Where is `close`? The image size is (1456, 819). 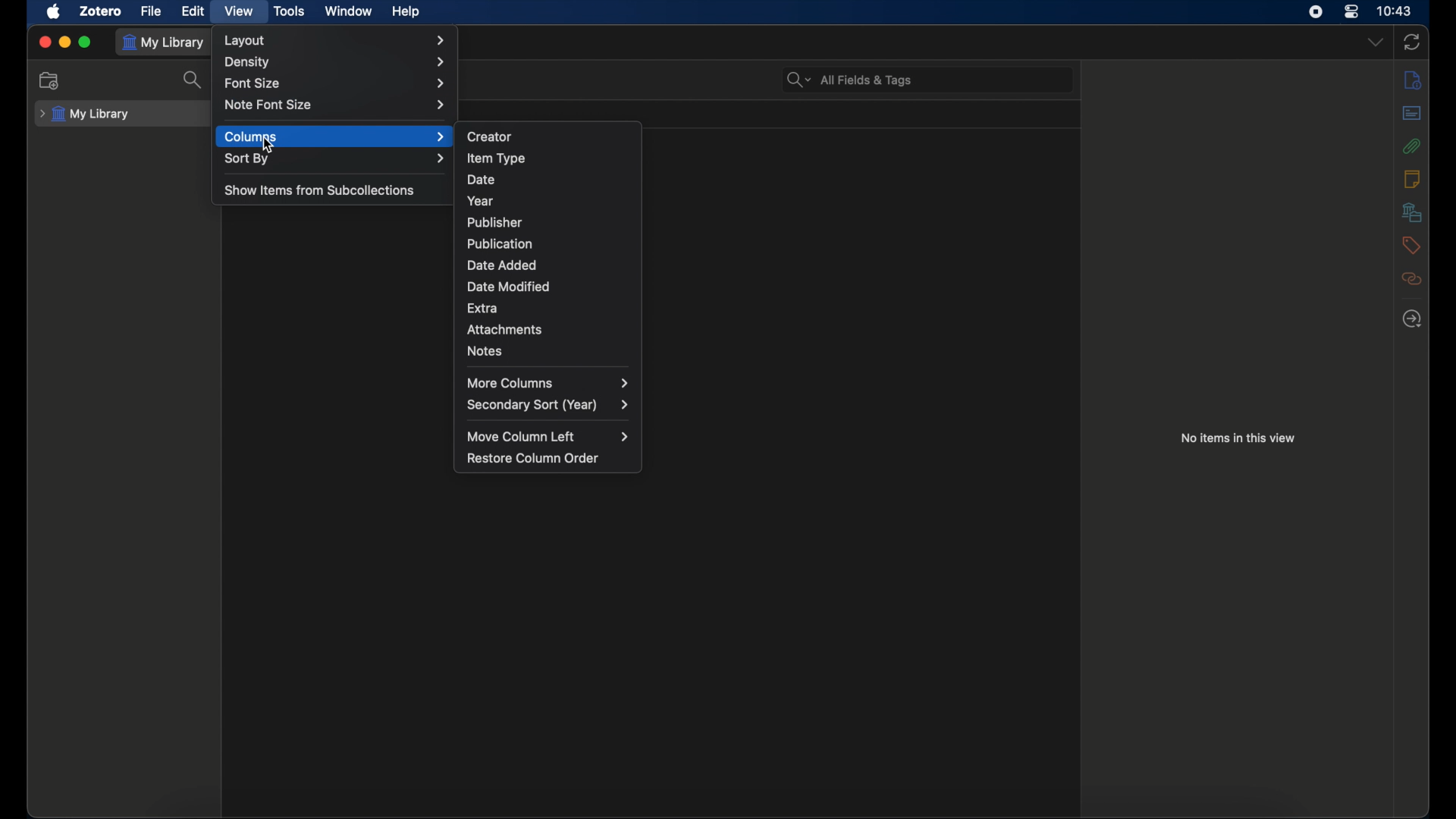 close is located at coordinates (45, 41).